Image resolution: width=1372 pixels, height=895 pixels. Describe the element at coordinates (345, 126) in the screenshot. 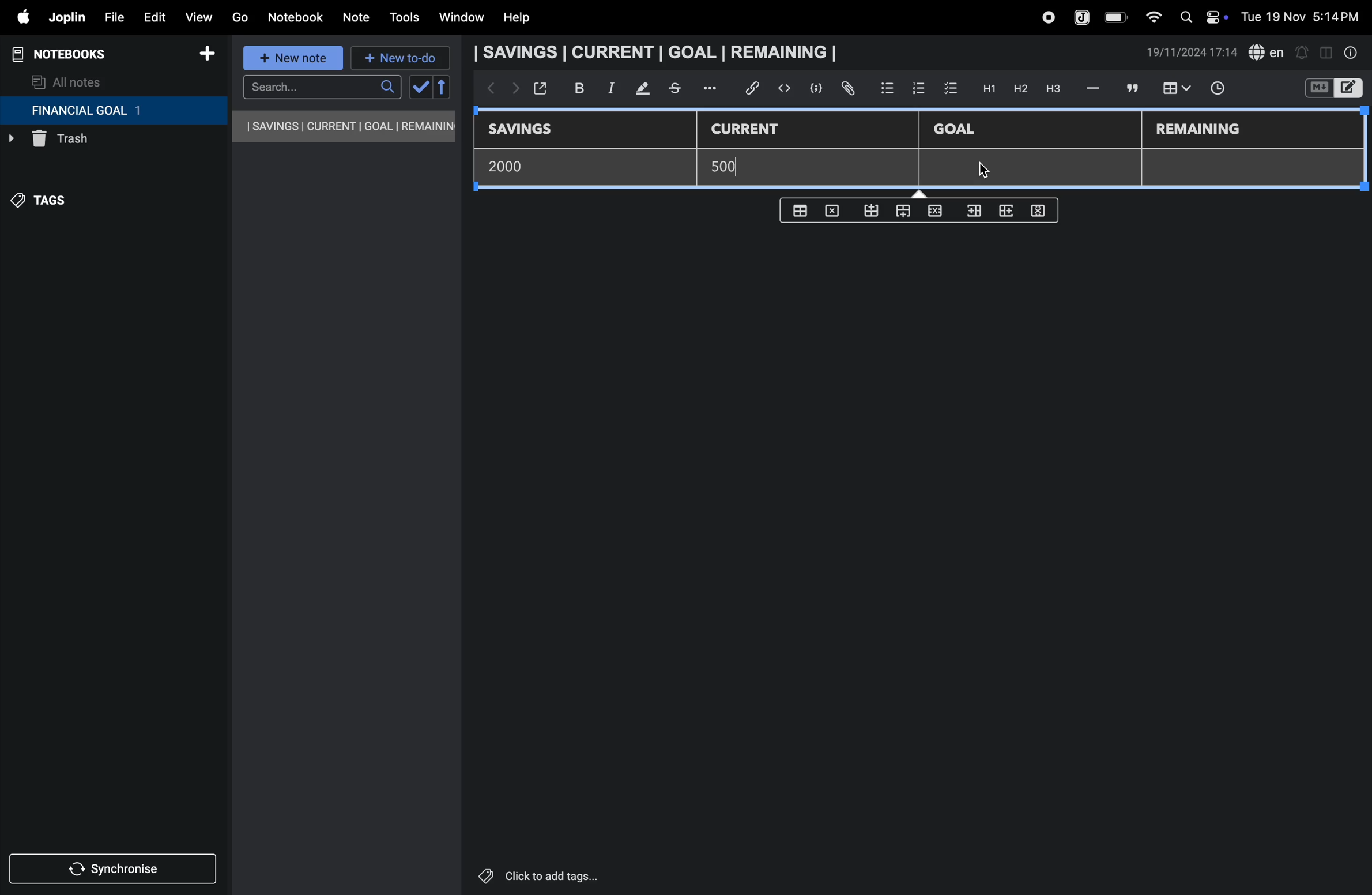

I see `savings current goal remaining` at that location.